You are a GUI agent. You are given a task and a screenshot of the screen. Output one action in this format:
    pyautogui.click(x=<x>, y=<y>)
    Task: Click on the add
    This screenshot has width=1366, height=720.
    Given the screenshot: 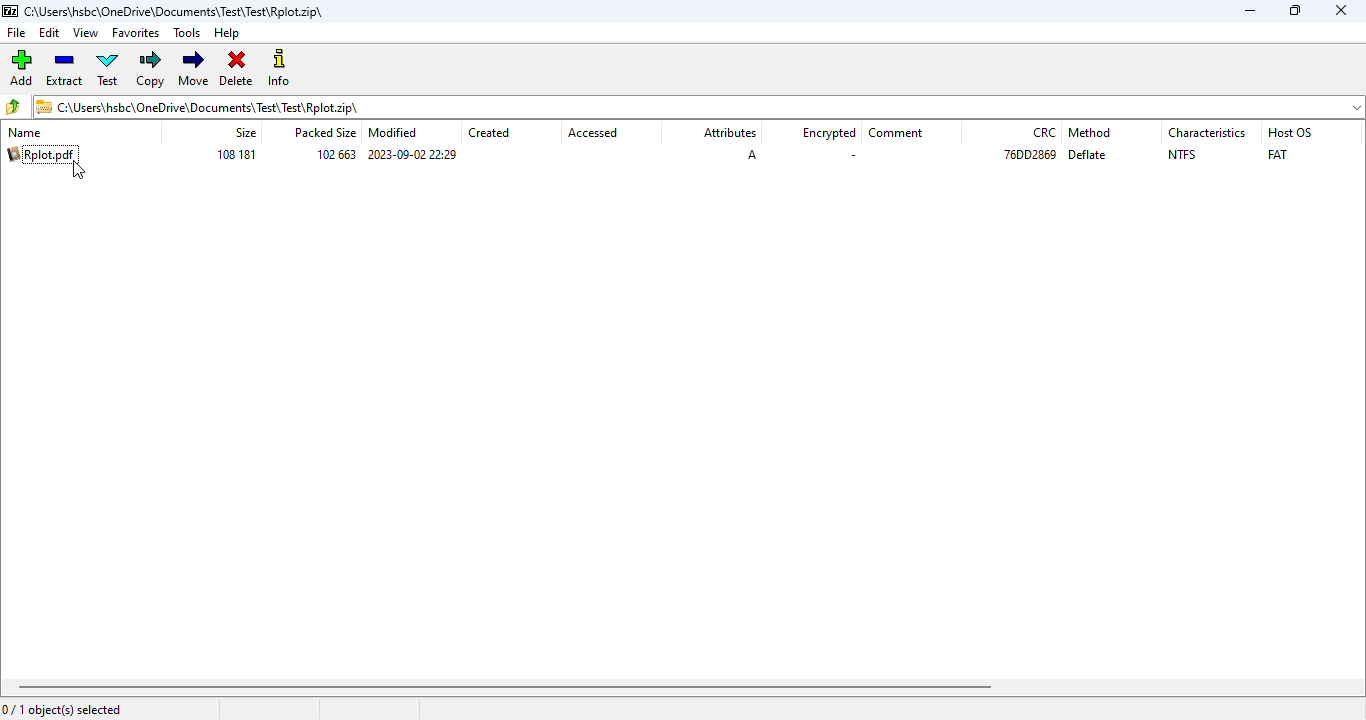 What is the action you would take?
    pyautogui.click(x=22, y=67)
    